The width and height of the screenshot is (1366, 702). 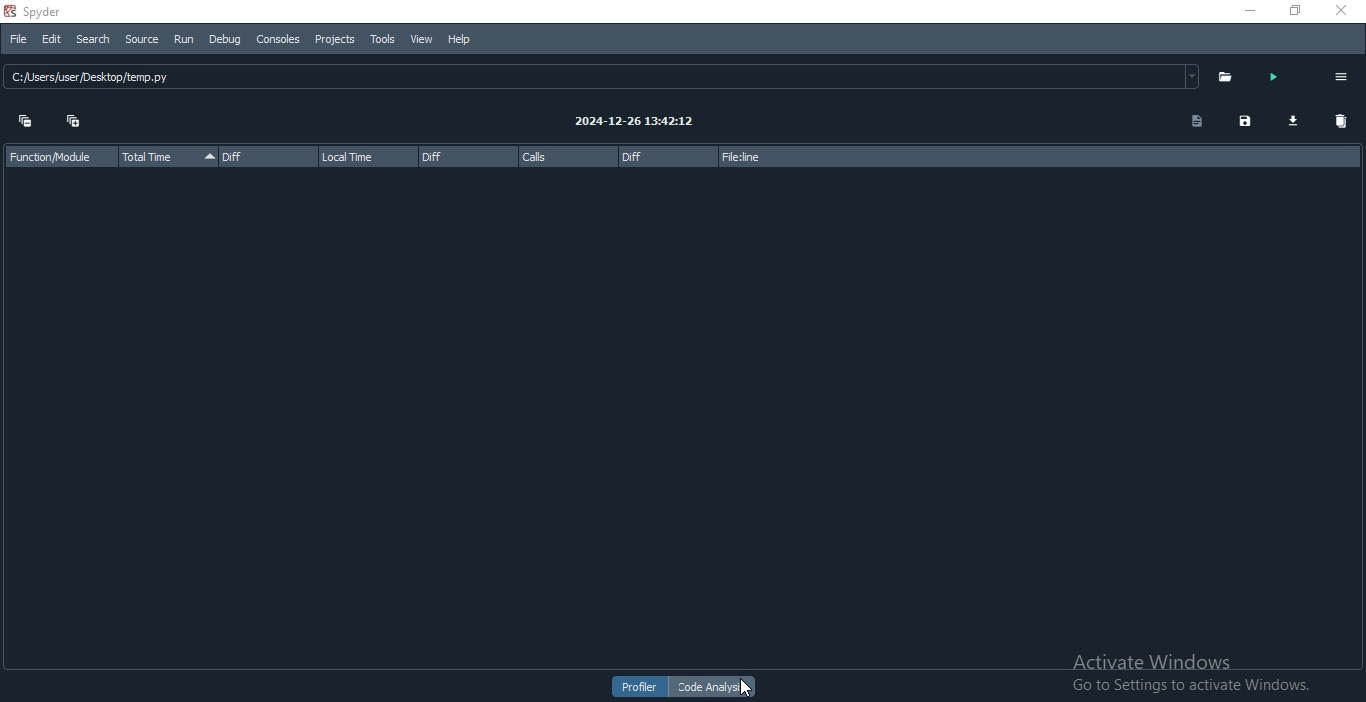 What do you see at coordinates (91, 41) in the screenshot?
I see `Search` at bounding box center [91, 41].